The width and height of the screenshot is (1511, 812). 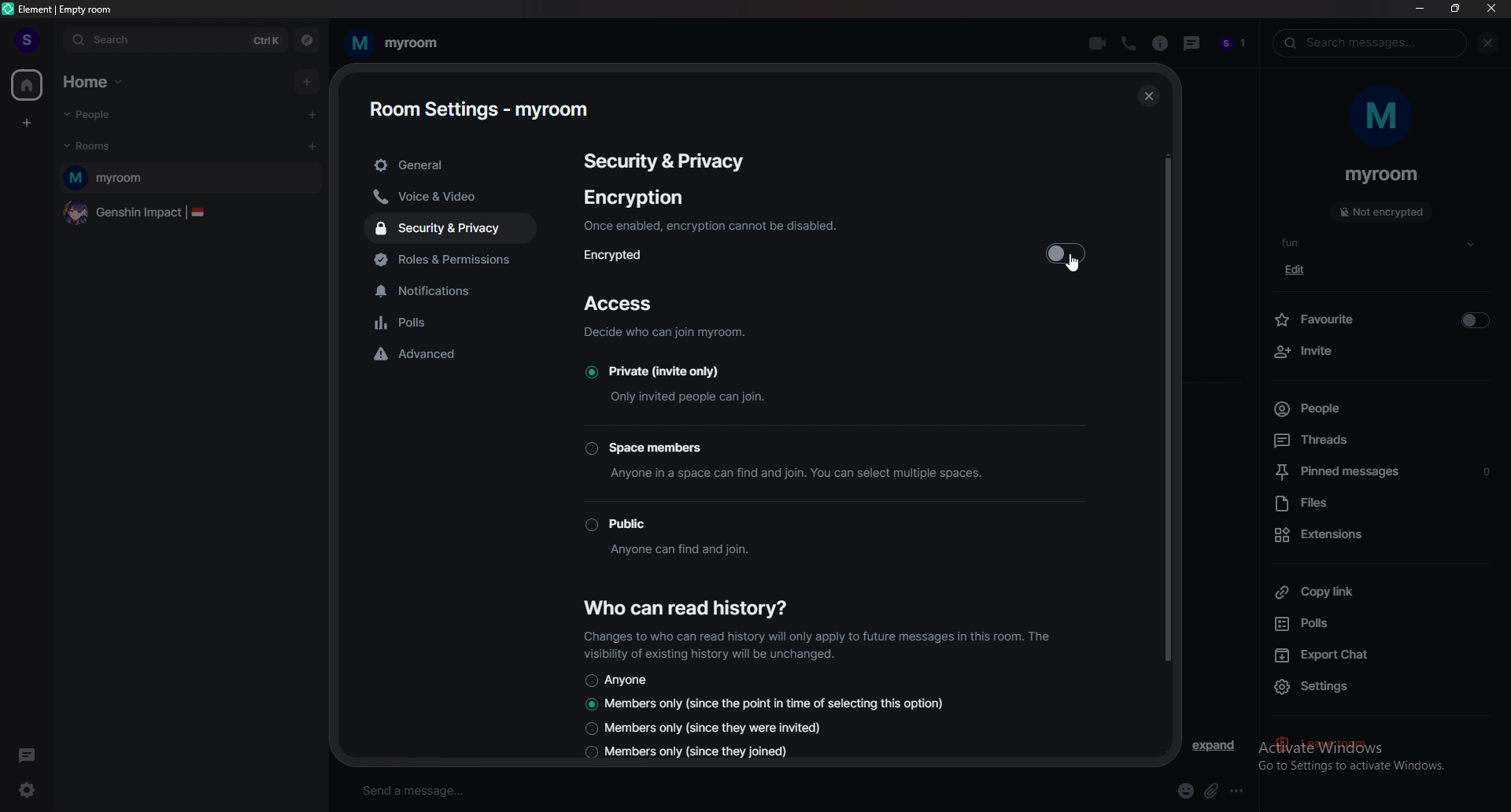 I want to click on close, so click(x=1491, y=9).